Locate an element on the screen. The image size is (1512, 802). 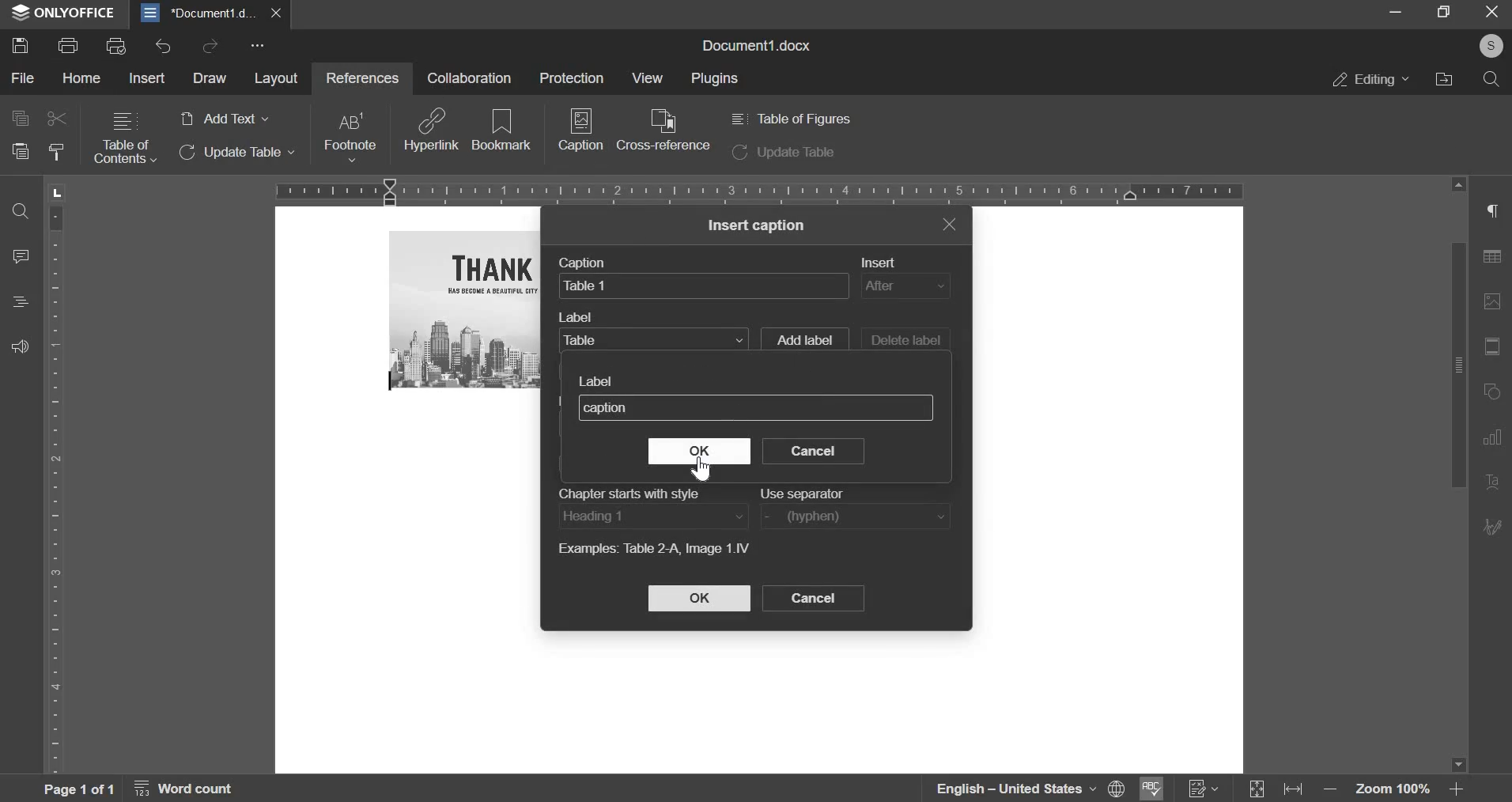
editing is located at coordinates (1371, 79).